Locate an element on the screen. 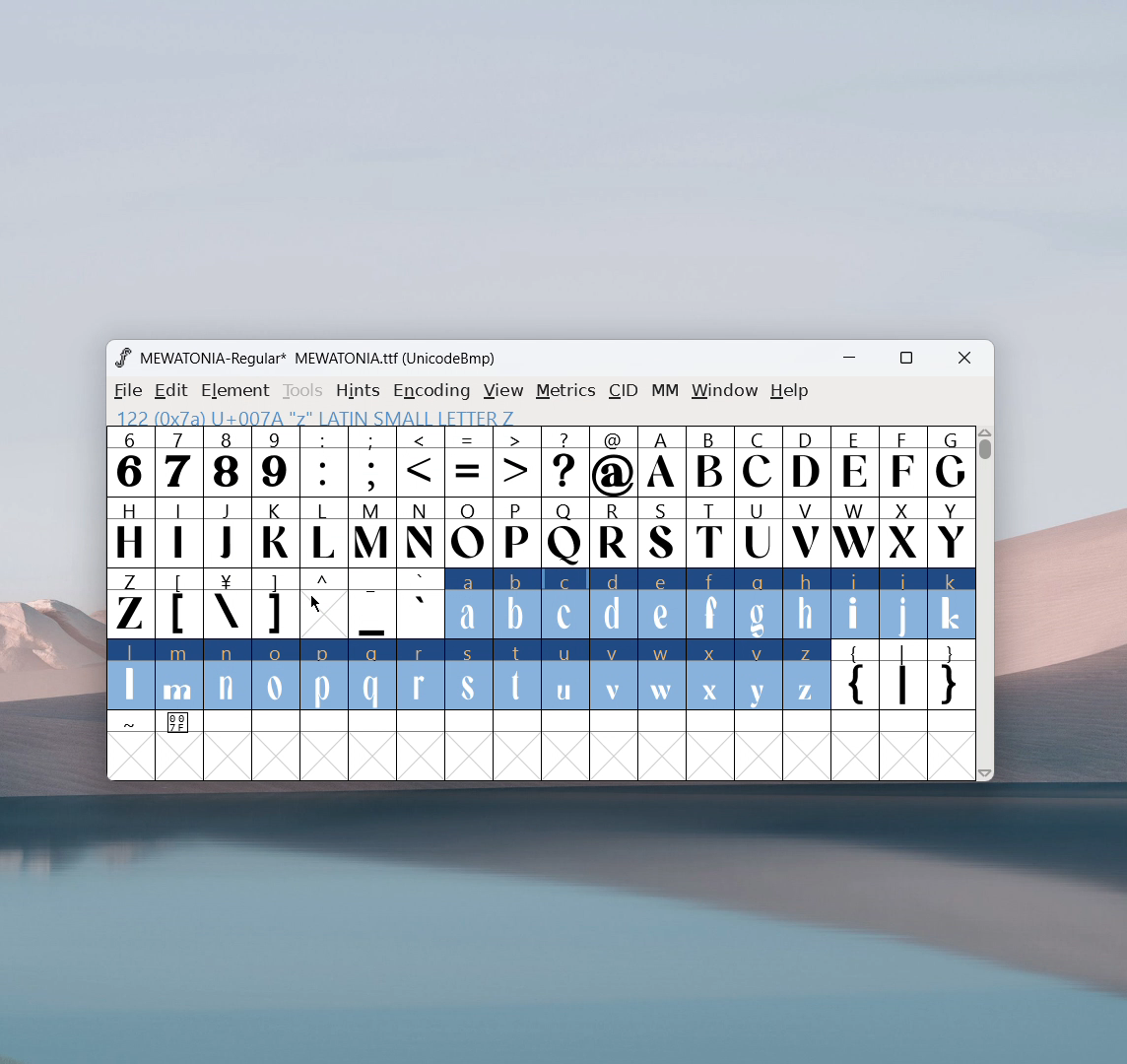  close is located at coordinates (964, 359).